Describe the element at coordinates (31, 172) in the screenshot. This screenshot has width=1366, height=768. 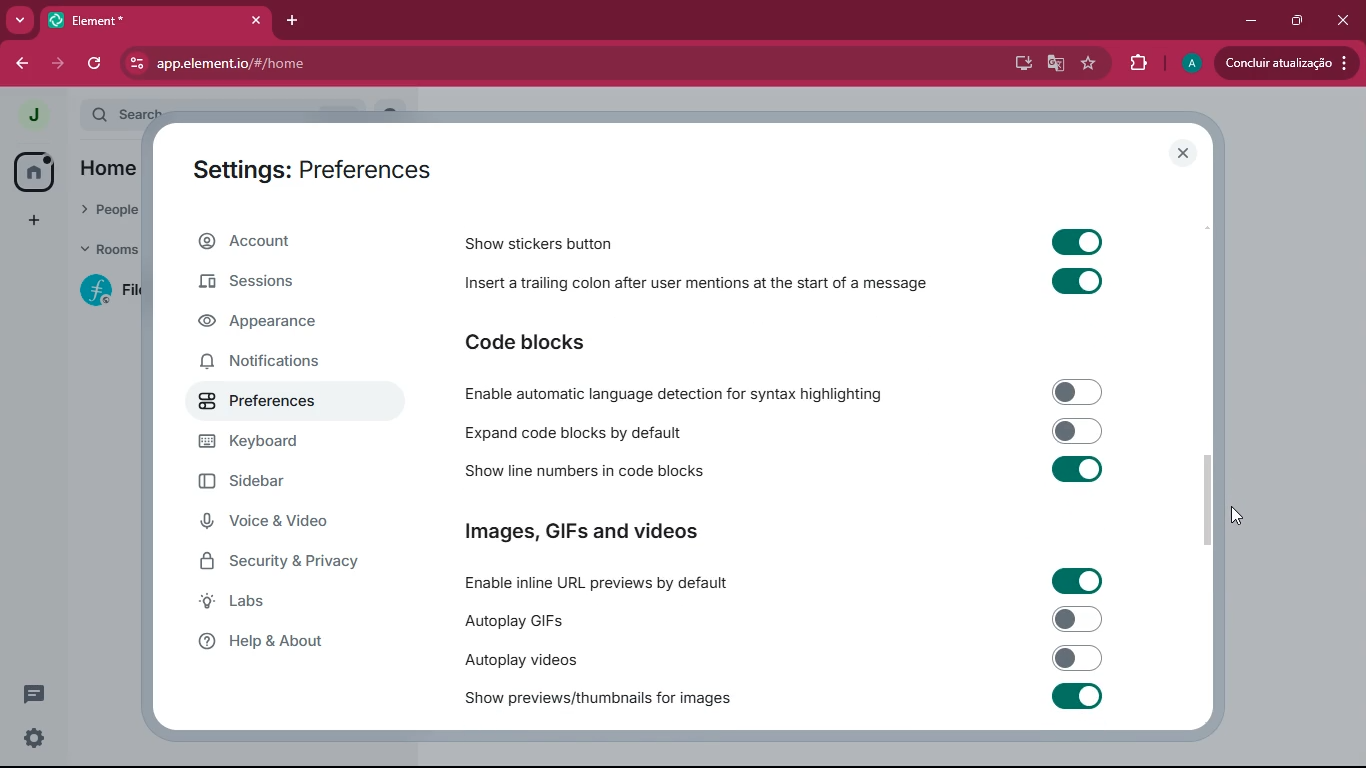
I see `home` at that location.